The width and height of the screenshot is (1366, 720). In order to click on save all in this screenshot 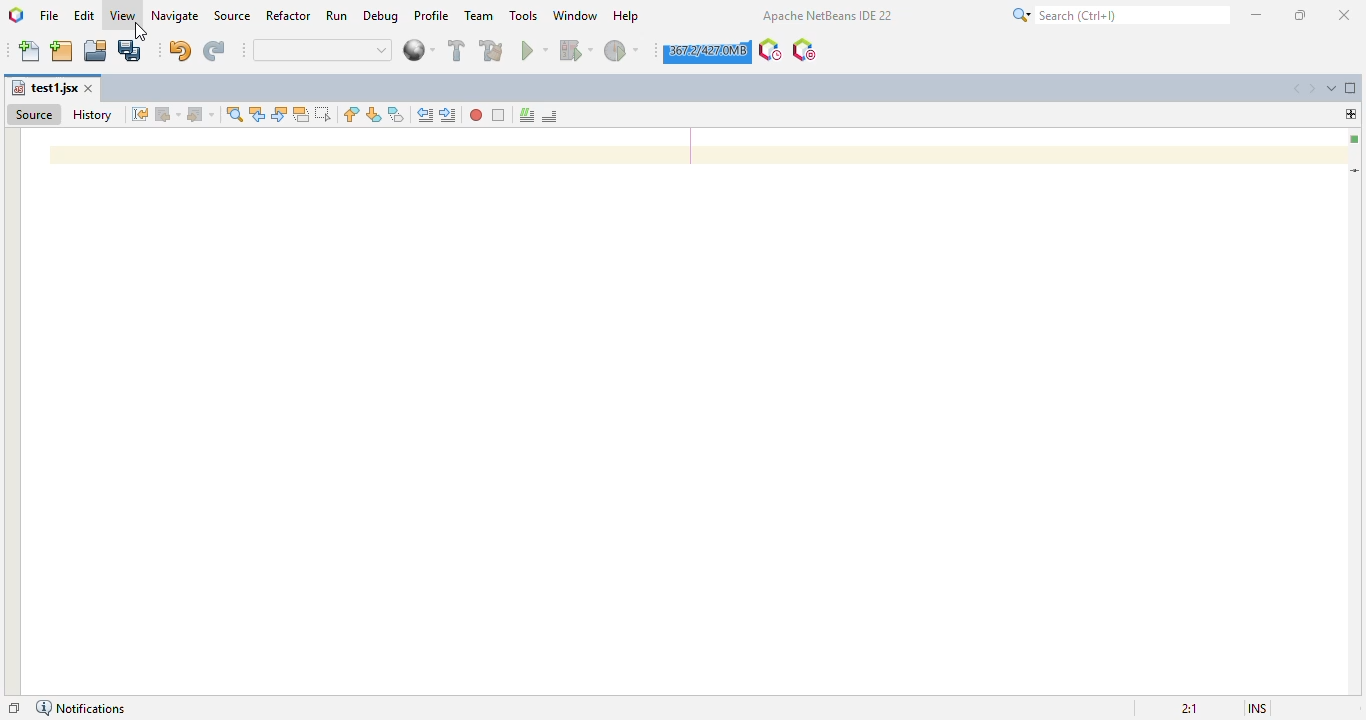, I will do `click(130, 51)`.